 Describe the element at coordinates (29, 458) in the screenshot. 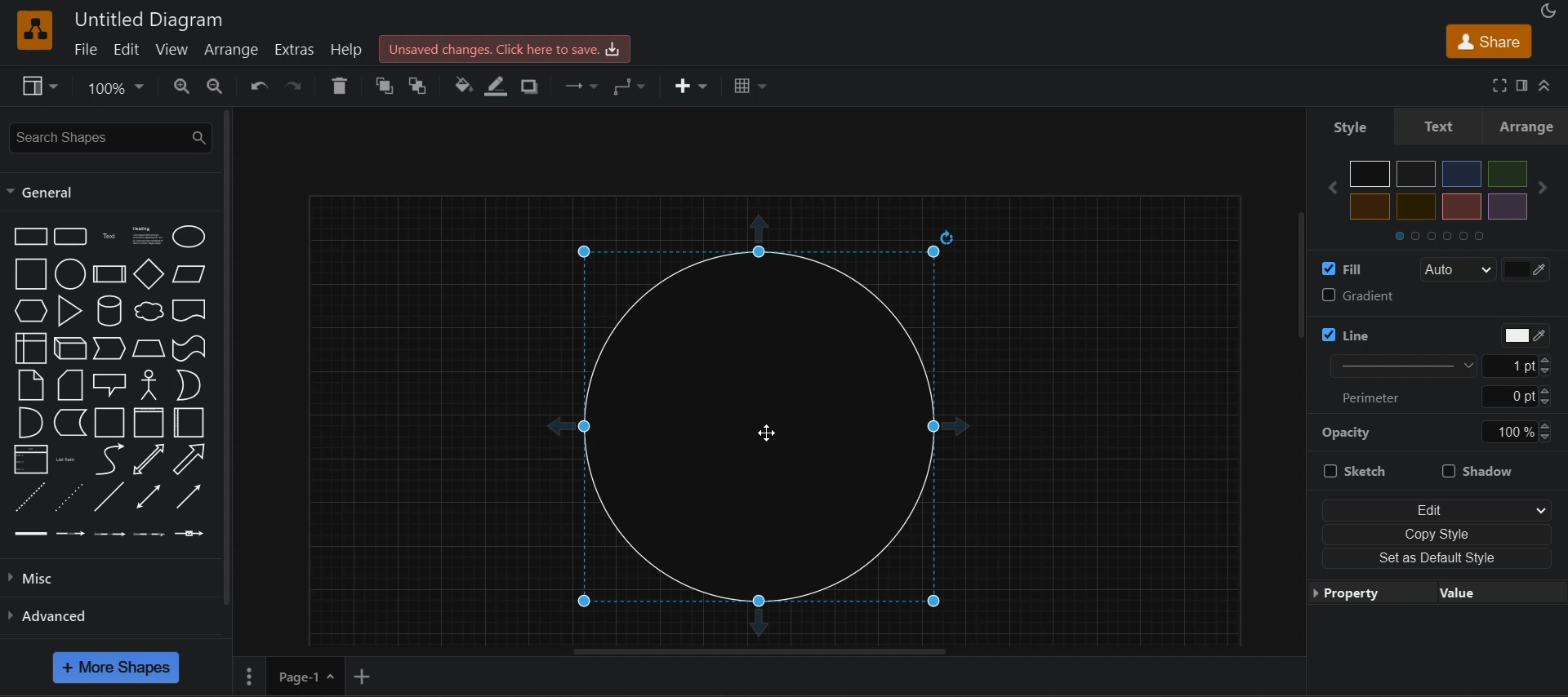

I see `list` at that location.